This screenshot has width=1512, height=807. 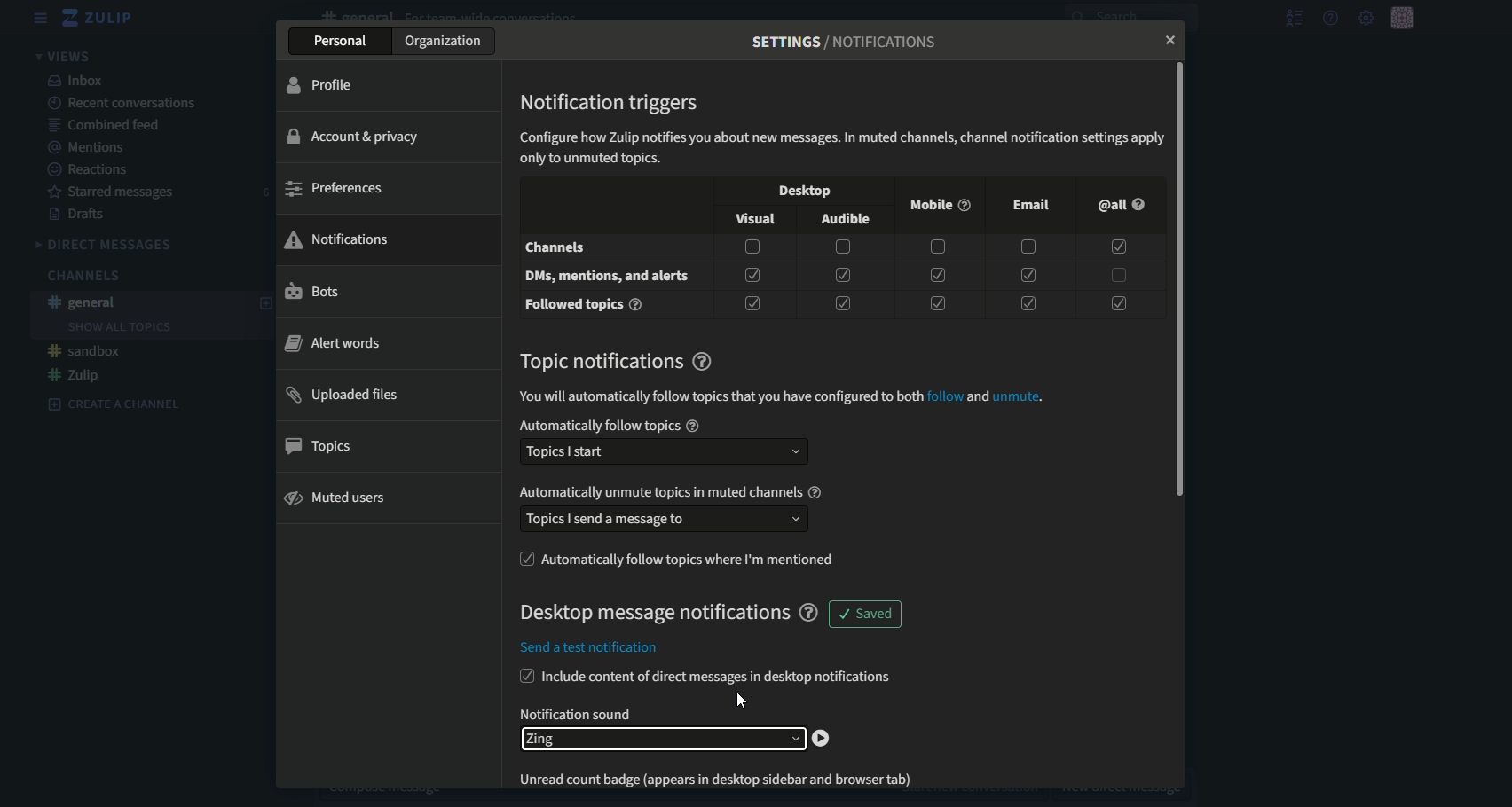 What do you see at coordinates (846, 42) in the screenshot?
I see `text` at bounding box center [846, 42].